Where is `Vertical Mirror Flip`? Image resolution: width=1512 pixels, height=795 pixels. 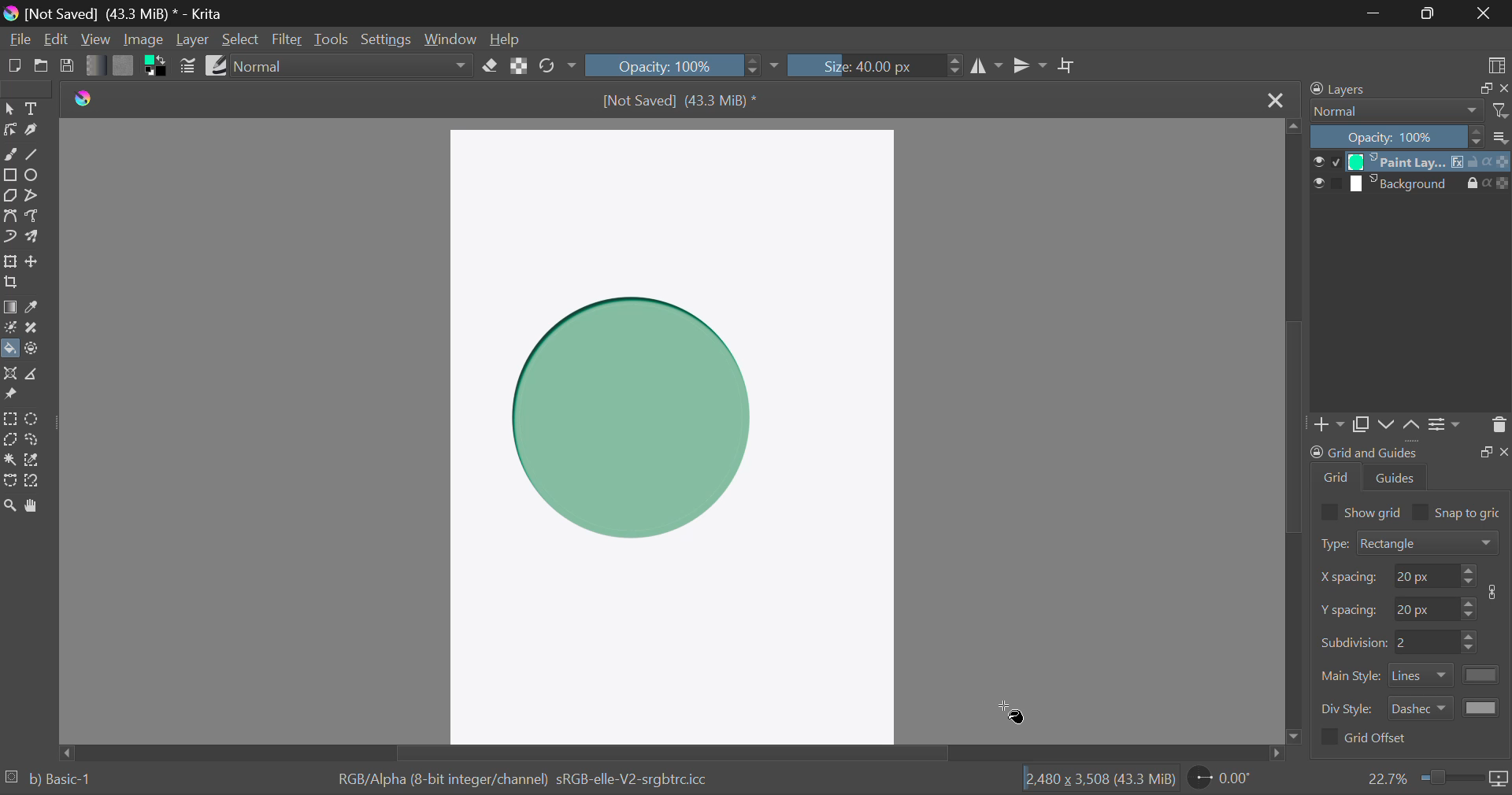 Vertical Mirror Flip is located at coordinates (988, 66).